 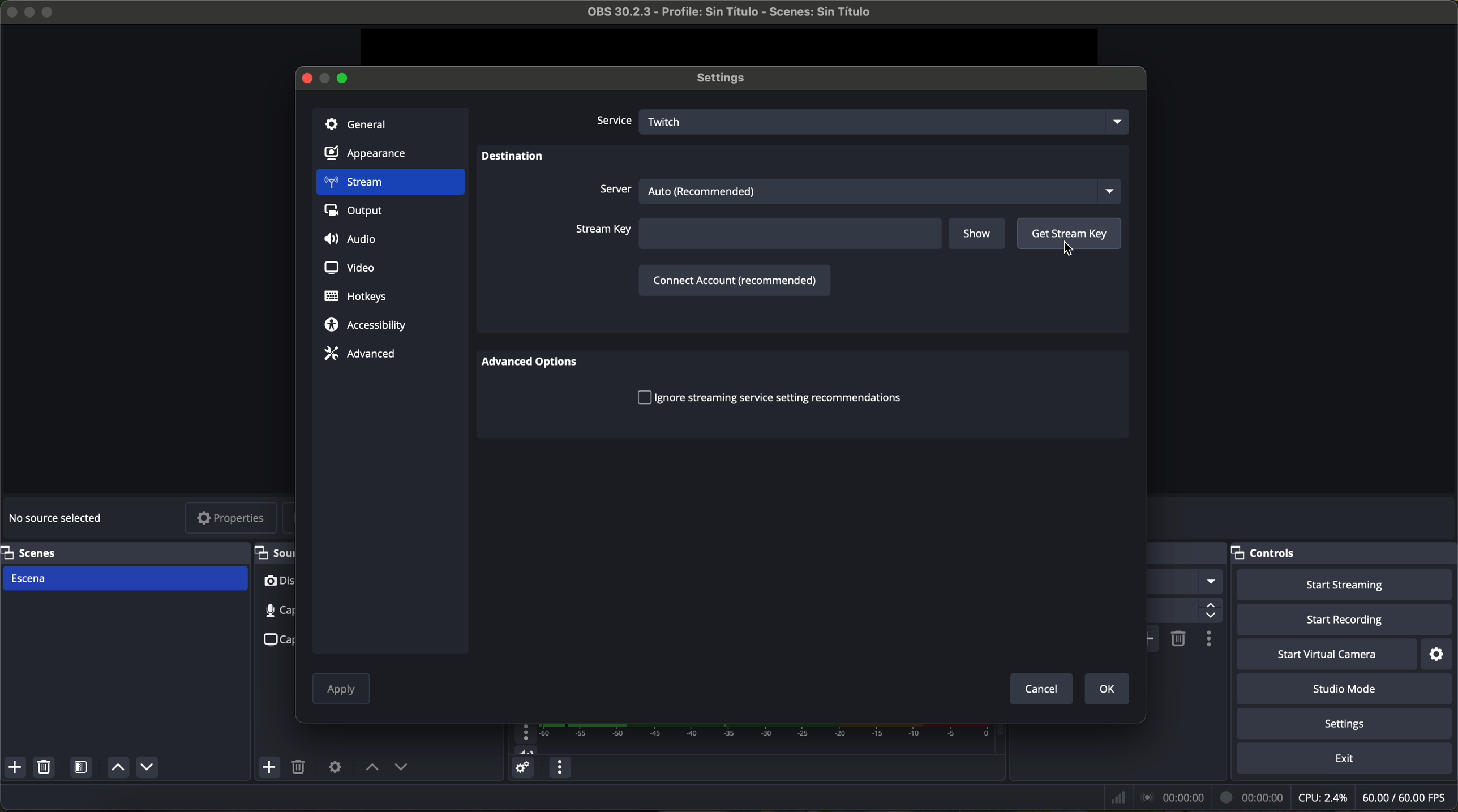 What do you see at coordinates (32, 11) in the screenshot?
I see `minimize OBS Studio` at bounding box center [32, 11].